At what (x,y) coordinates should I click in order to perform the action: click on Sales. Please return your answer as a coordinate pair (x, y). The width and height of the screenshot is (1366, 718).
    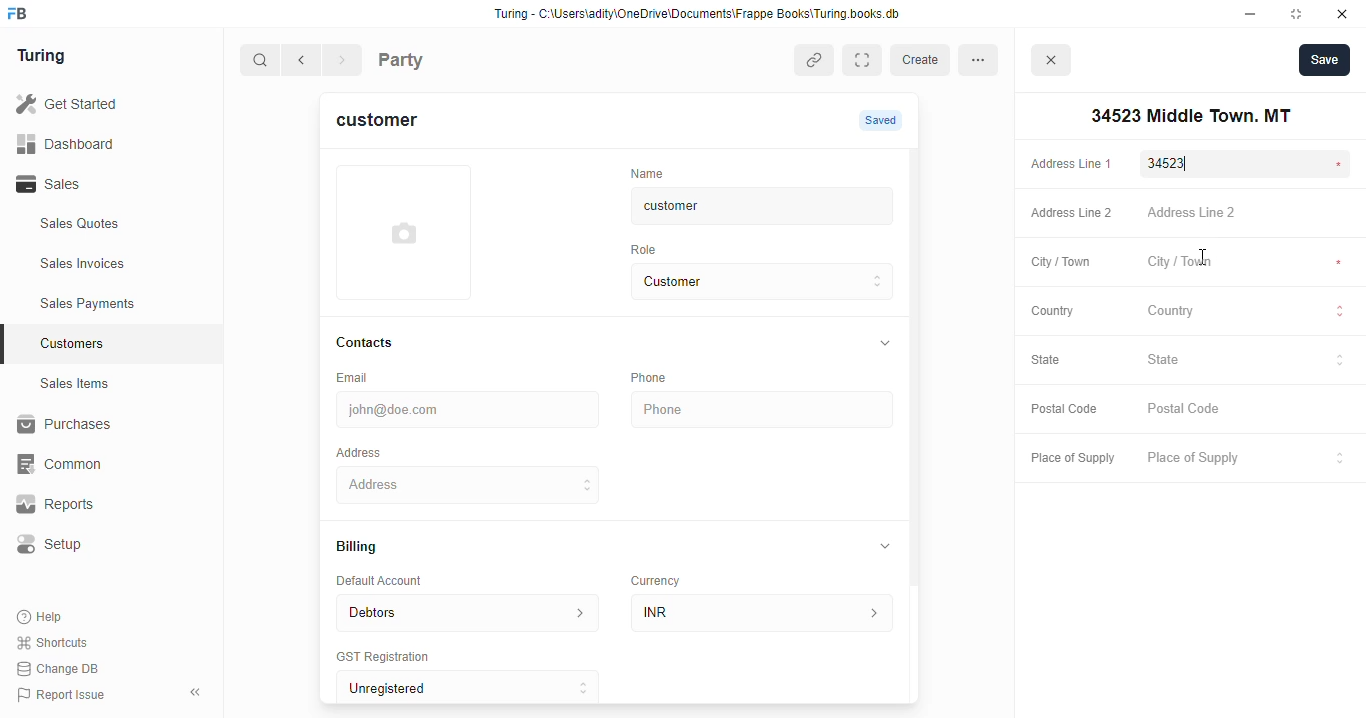
    Looking at the image, I should click on (98, 184).